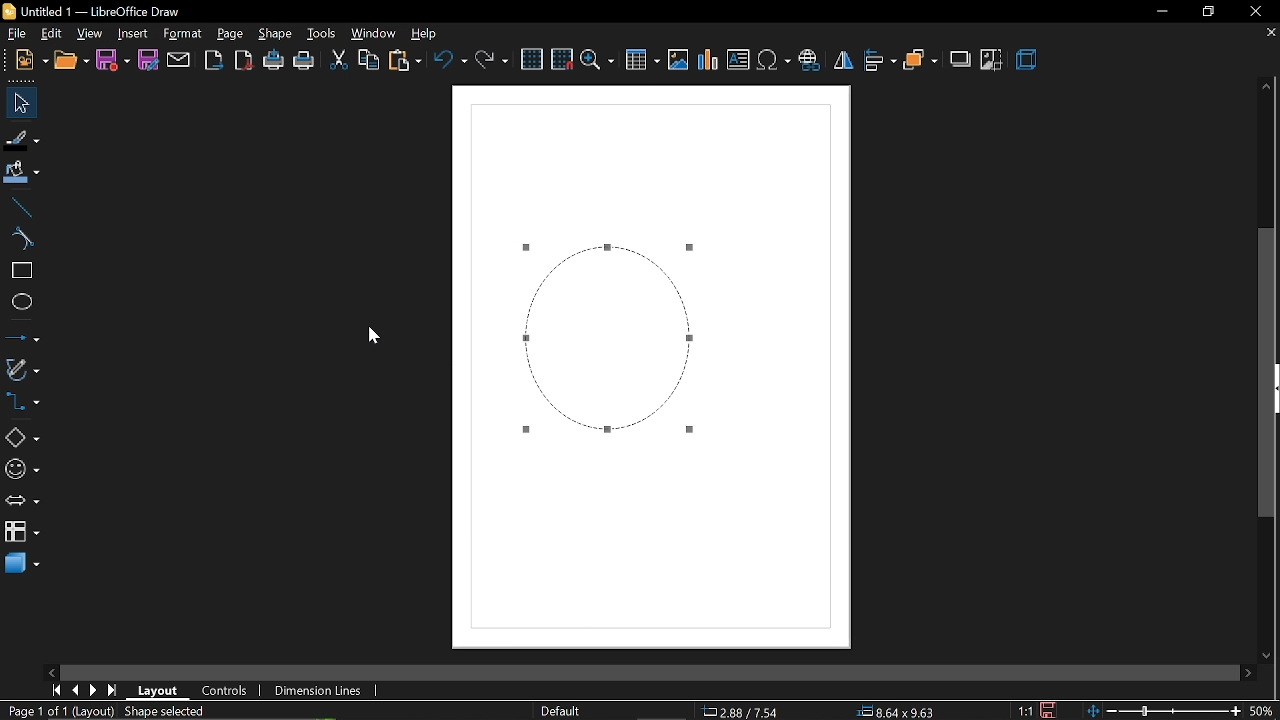  What do you see at coordinates (88, 34) in the screenshot?
I see `view` at bounding box center [88, 34].